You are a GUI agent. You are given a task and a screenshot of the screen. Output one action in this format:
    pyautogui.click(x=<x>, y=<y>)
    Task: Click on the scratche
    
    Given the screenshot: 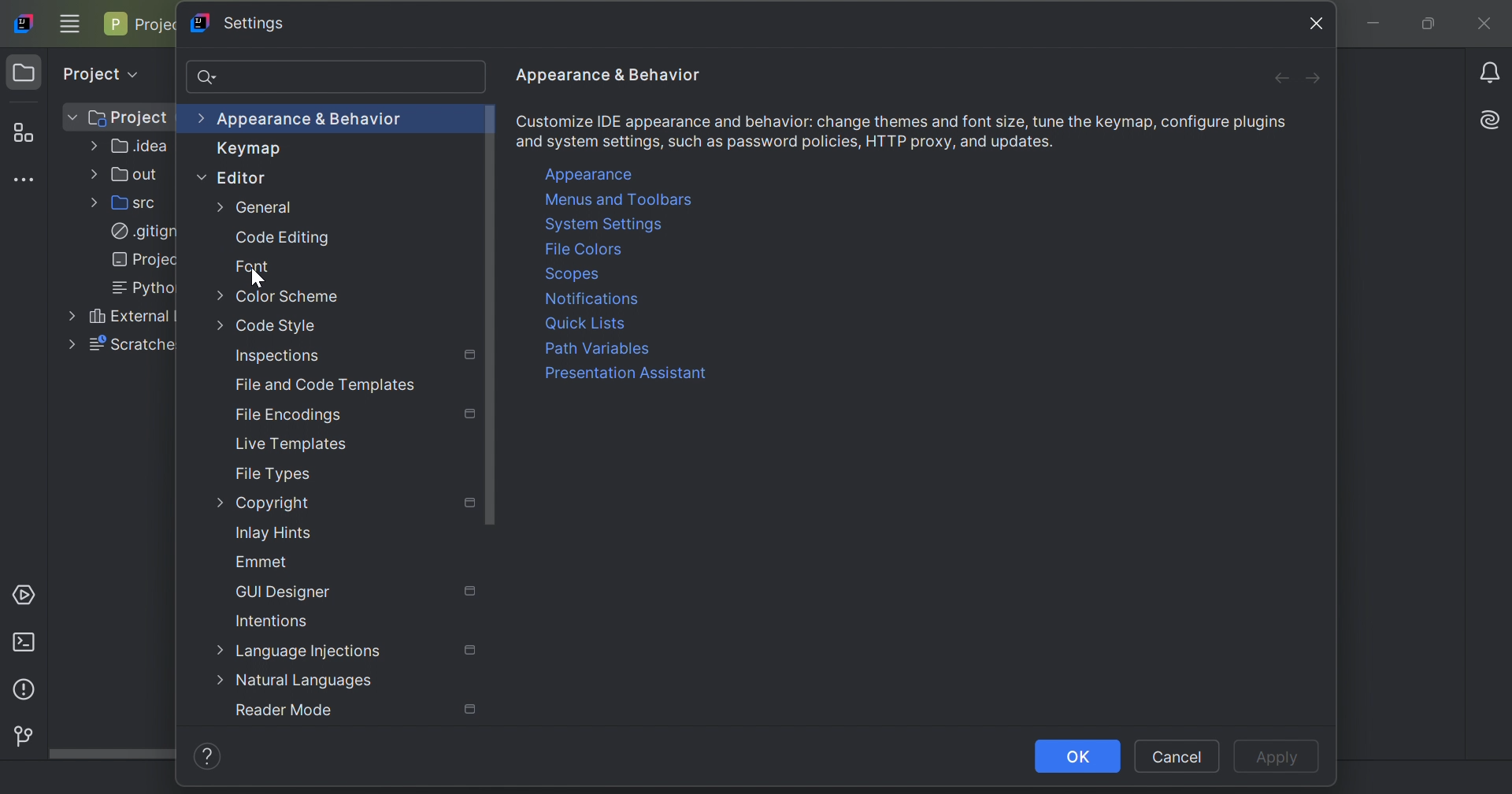 What is the action you would take?
    pyautogui.click(x=121, y=347)
    